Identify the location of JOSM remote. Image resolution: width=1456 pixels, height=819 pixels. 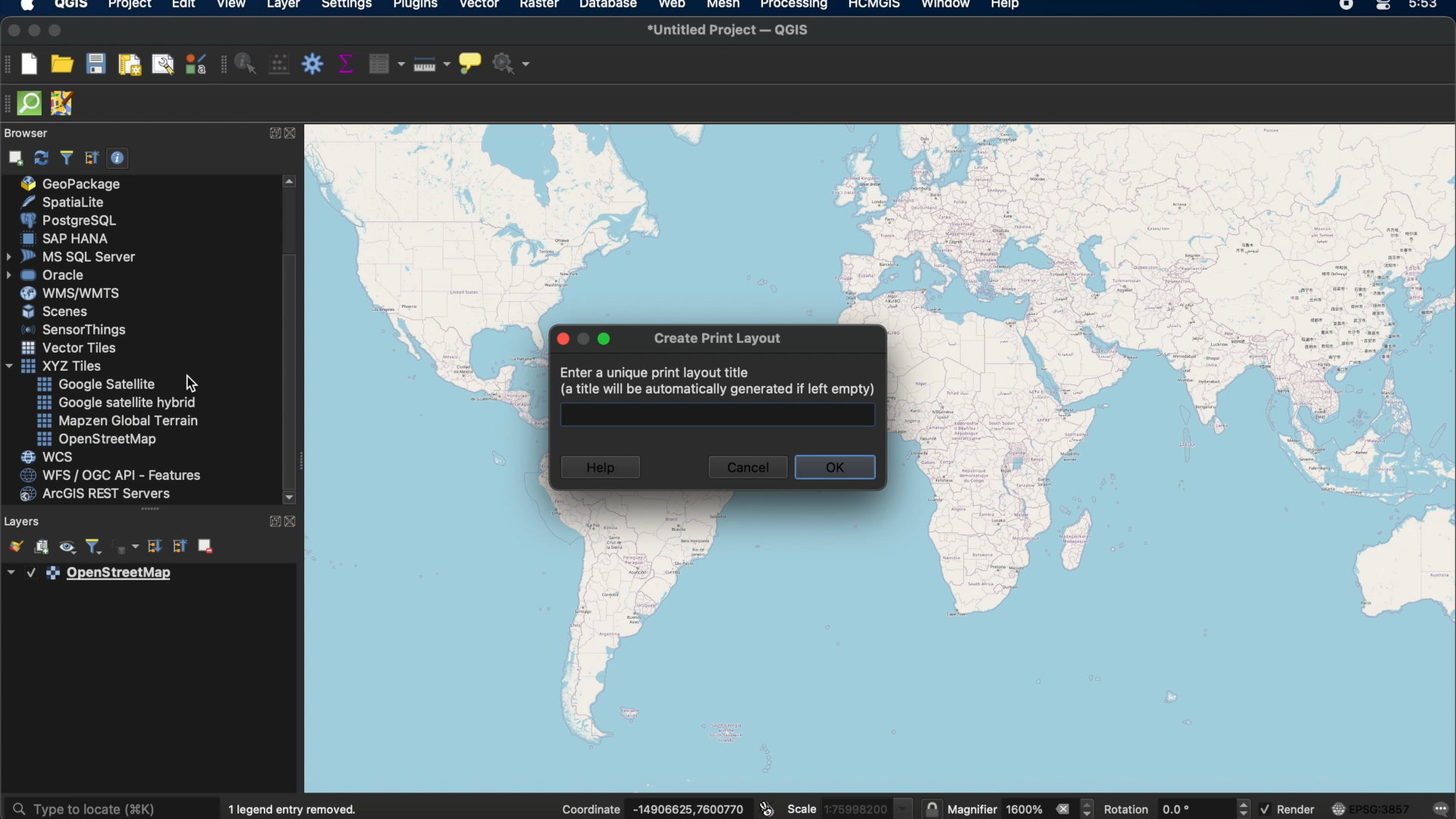
(64, 103).